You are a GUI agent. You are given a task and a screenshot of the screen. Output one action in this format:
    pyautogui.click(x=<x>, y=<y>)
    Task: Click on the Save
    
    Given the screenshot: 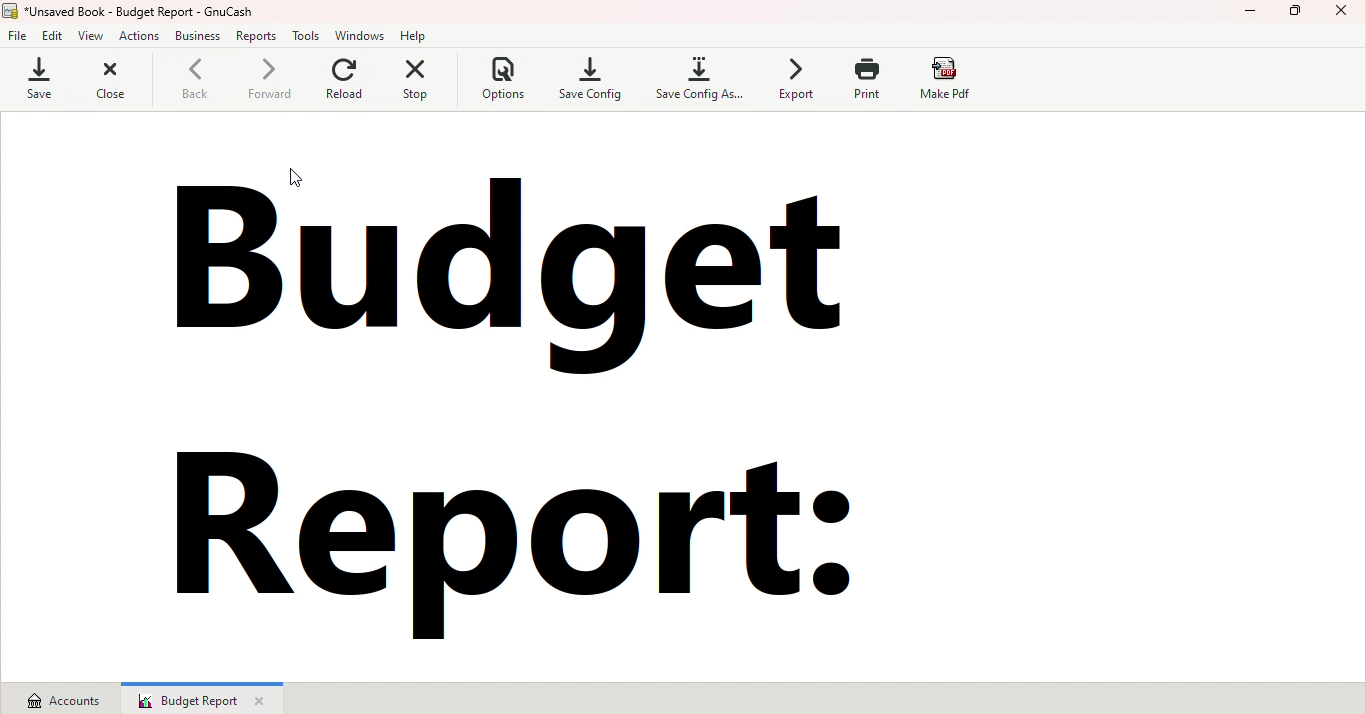 What is the action you would take?
    pyautogui.click(x=39, y=78)
    